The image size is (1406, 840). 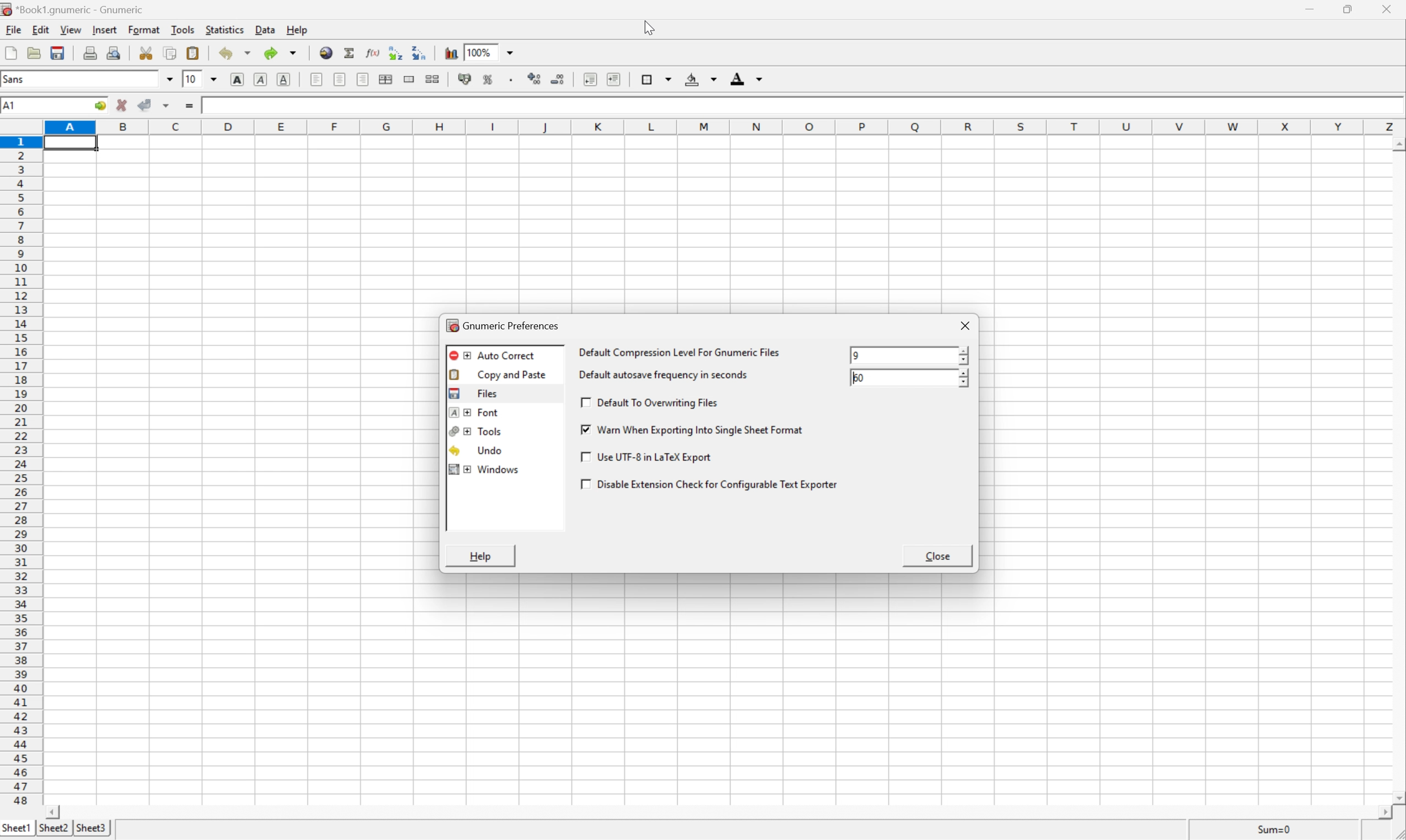 I want to click on , so click(x=862, y=355).